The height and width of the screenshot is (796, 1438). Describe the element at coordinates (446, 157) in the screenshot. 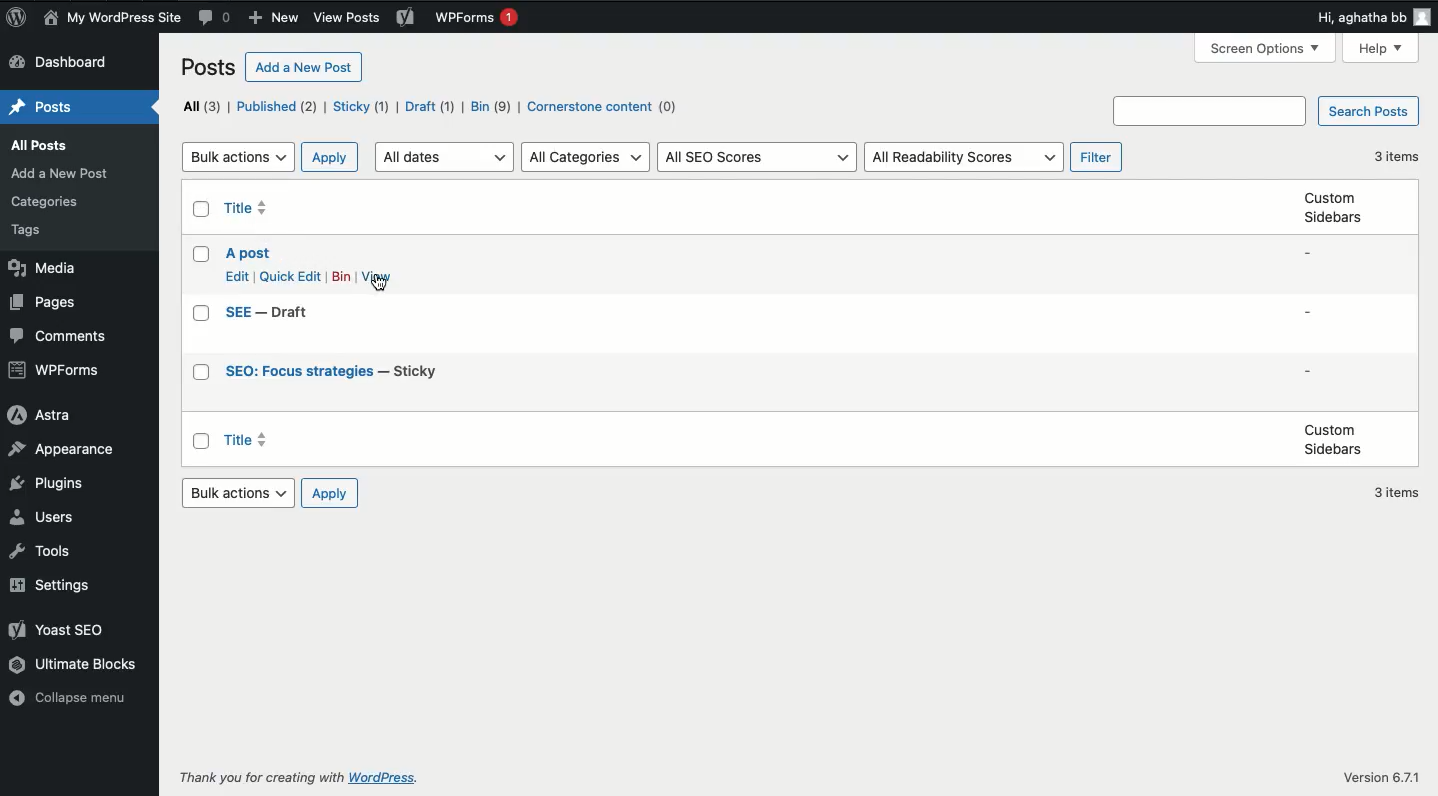

I see `All dates` at that location.